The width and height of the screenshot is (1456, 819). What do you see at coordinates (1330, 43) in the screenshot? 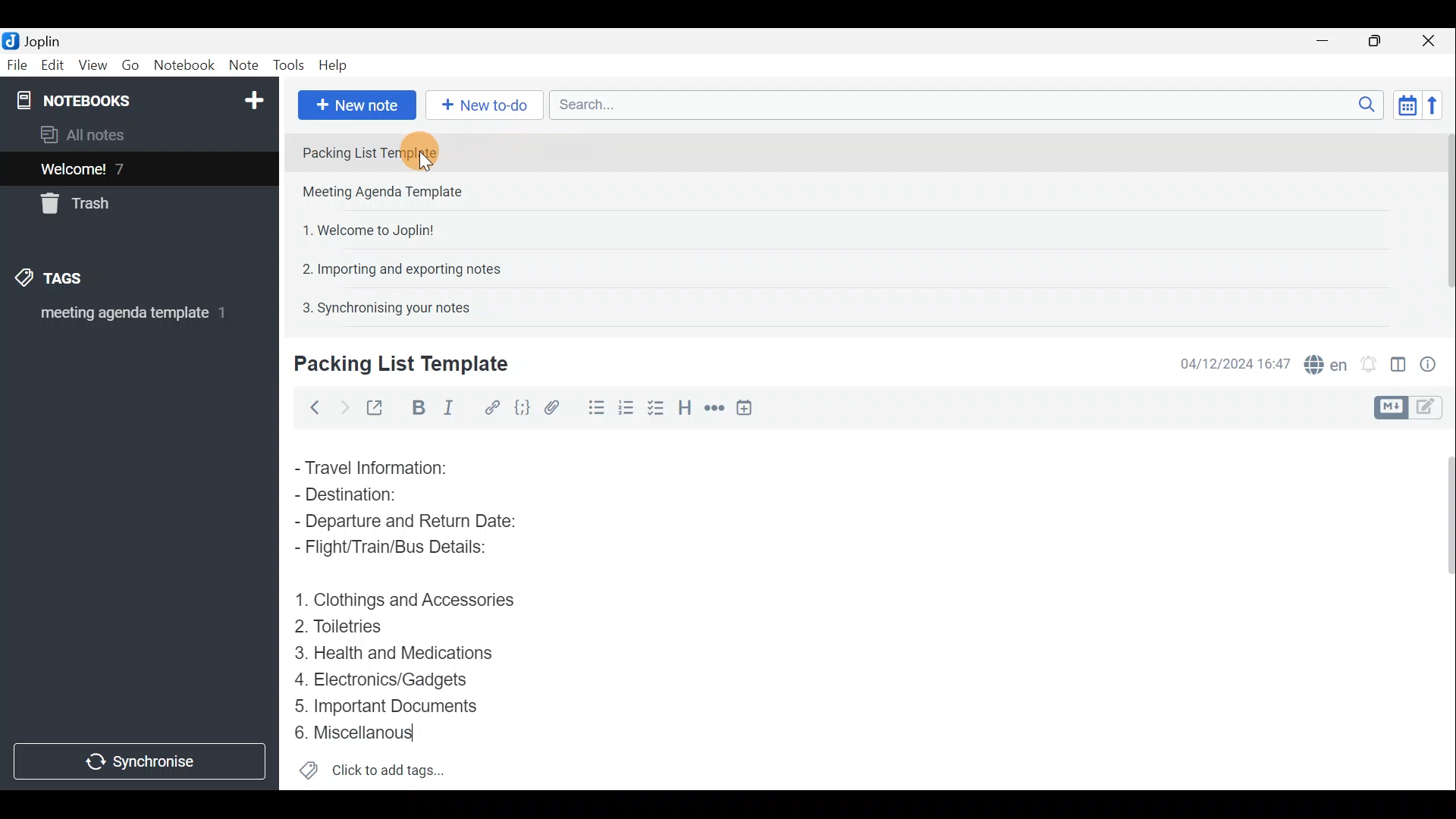
I see `Minimise` at bounding box center [1330, 43].